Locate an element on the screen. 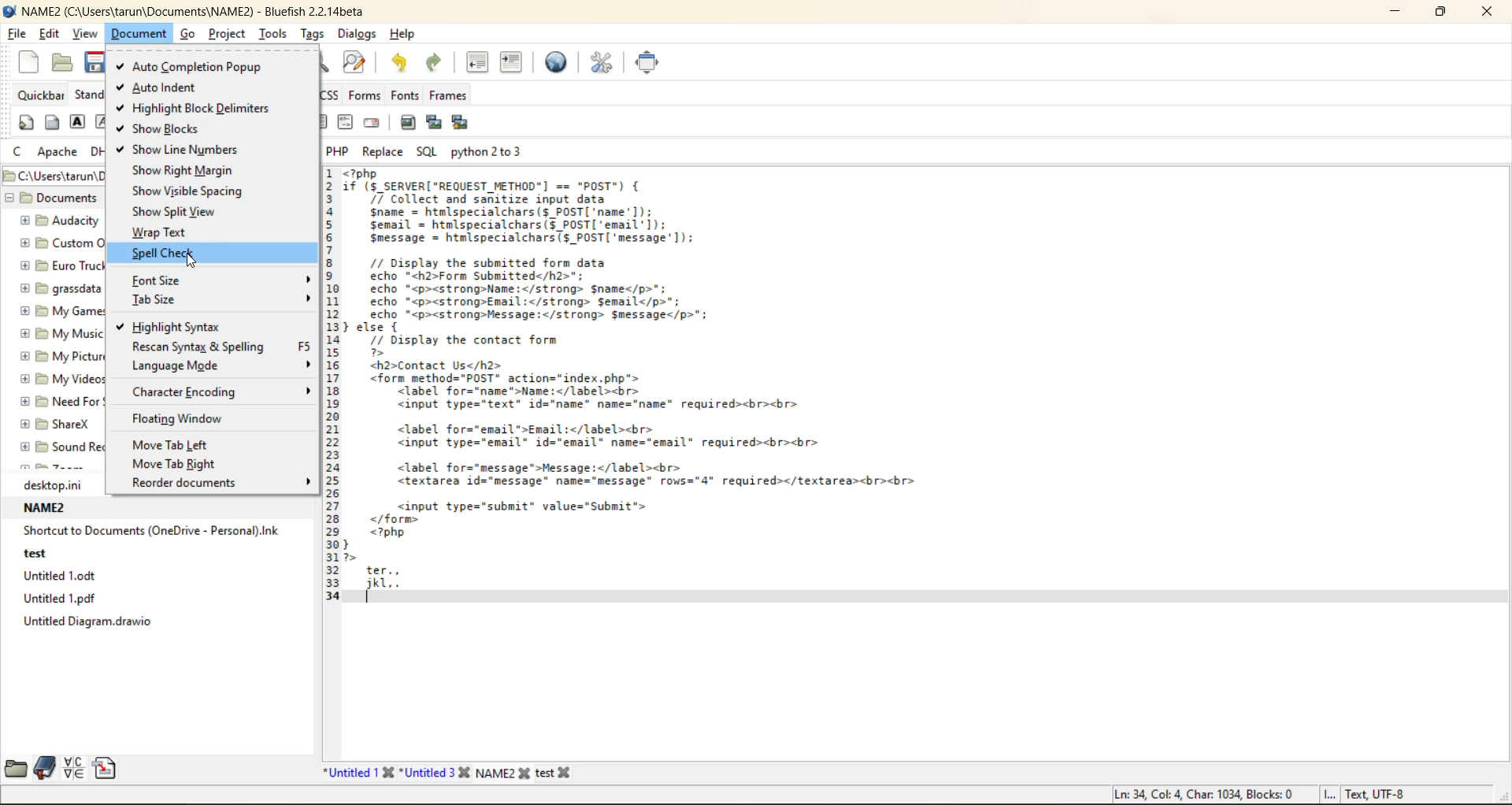 The image size is (1512, 805). tags is located at coordinates (316, 33).